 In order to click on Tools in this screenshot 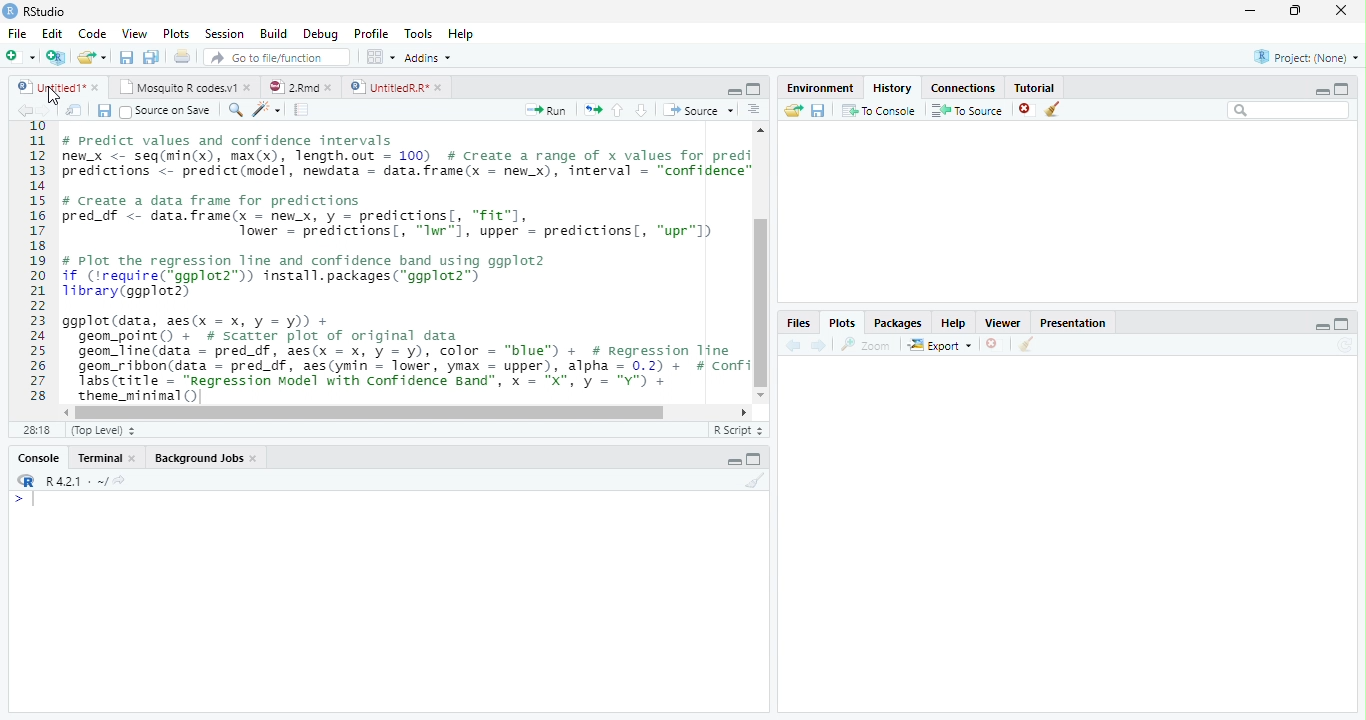, I will do `click(421, 34)`.